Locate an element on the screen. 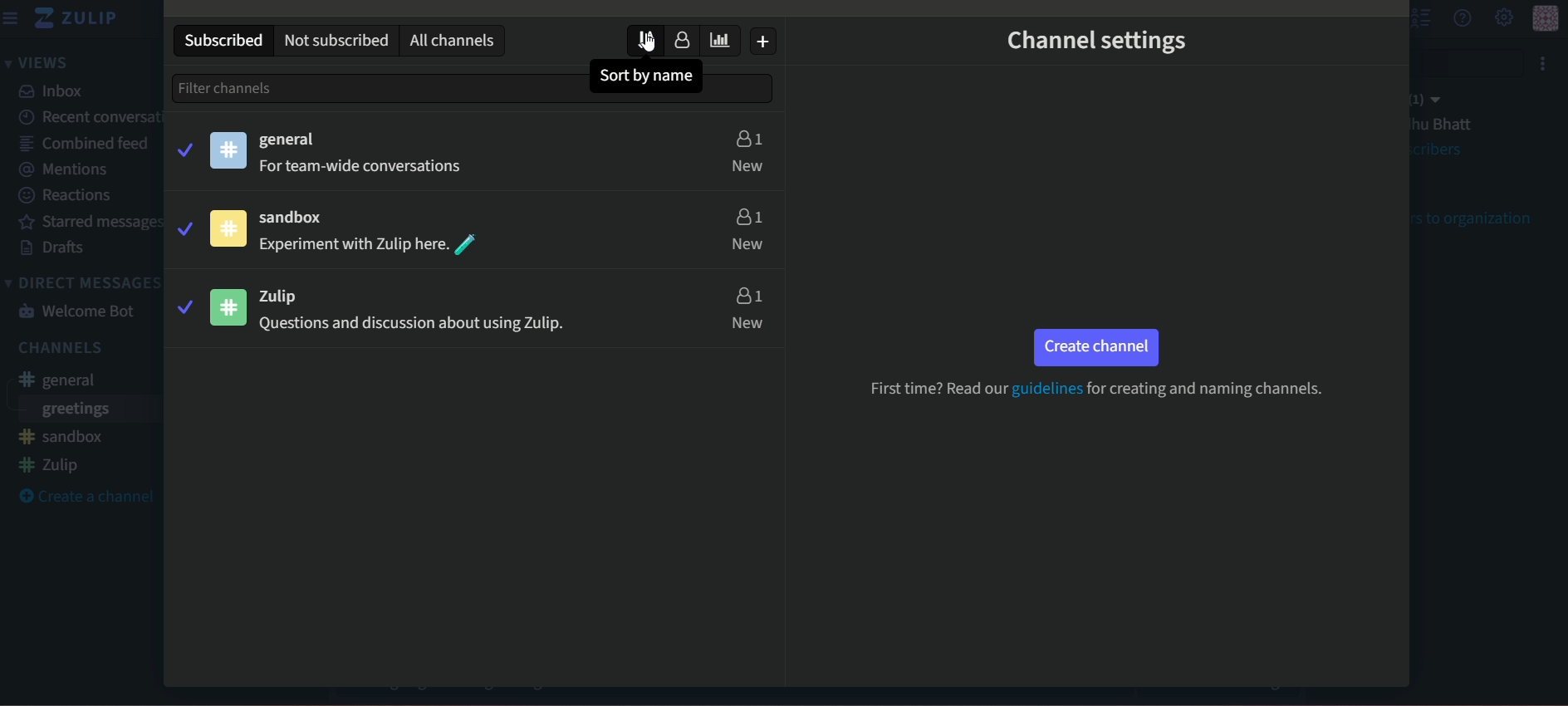 This screenshot has width=1568, height=706. zulip is located at coordinates (279, 297).